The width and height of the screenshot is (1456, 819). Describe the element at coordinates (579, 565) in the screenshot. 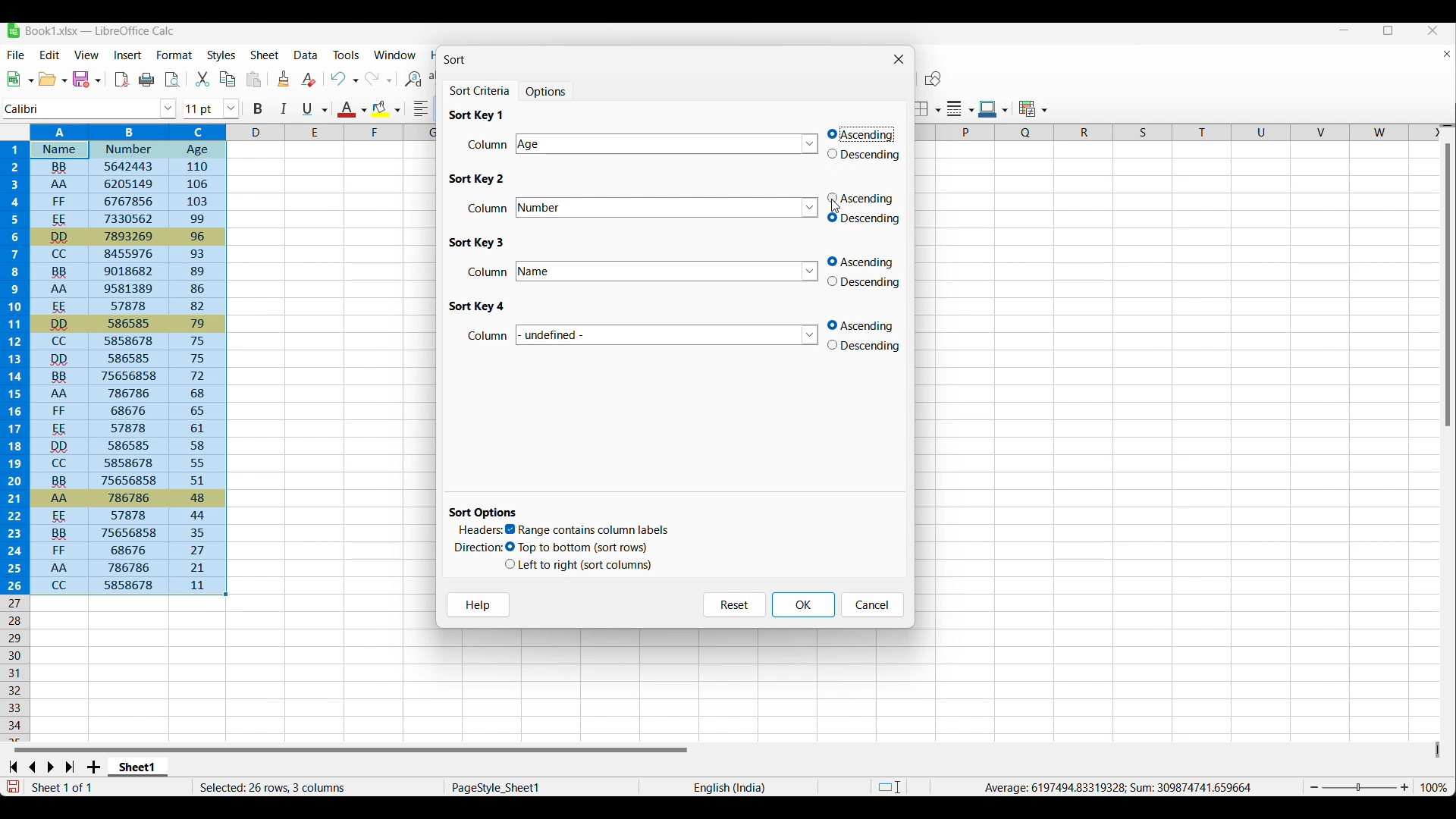

I see `Toggle off for Left to right sort for columns` at that location.